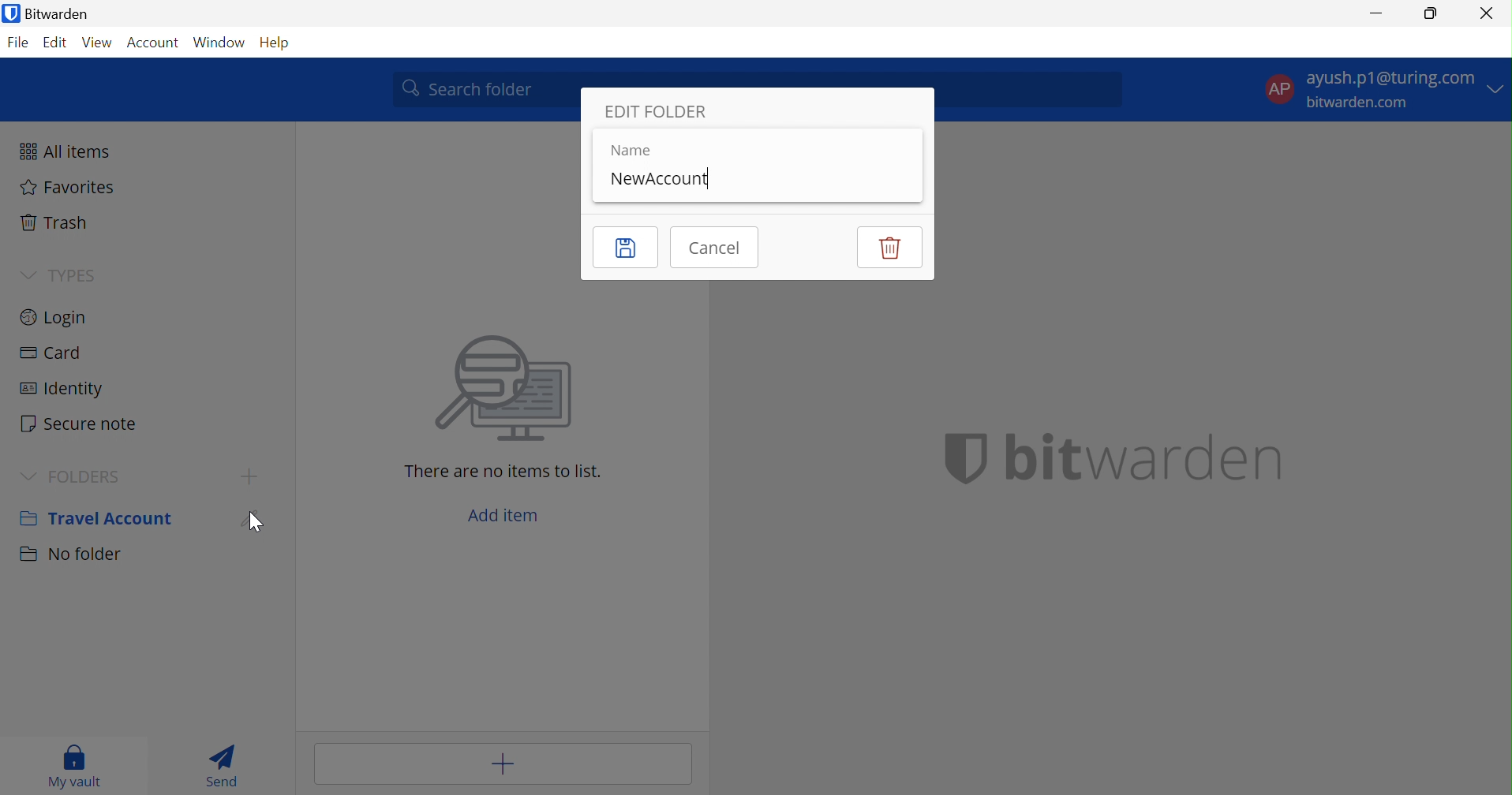  Describe the element at coordinates (83, 422) in the screenshot. I see `Secure note` at that location.